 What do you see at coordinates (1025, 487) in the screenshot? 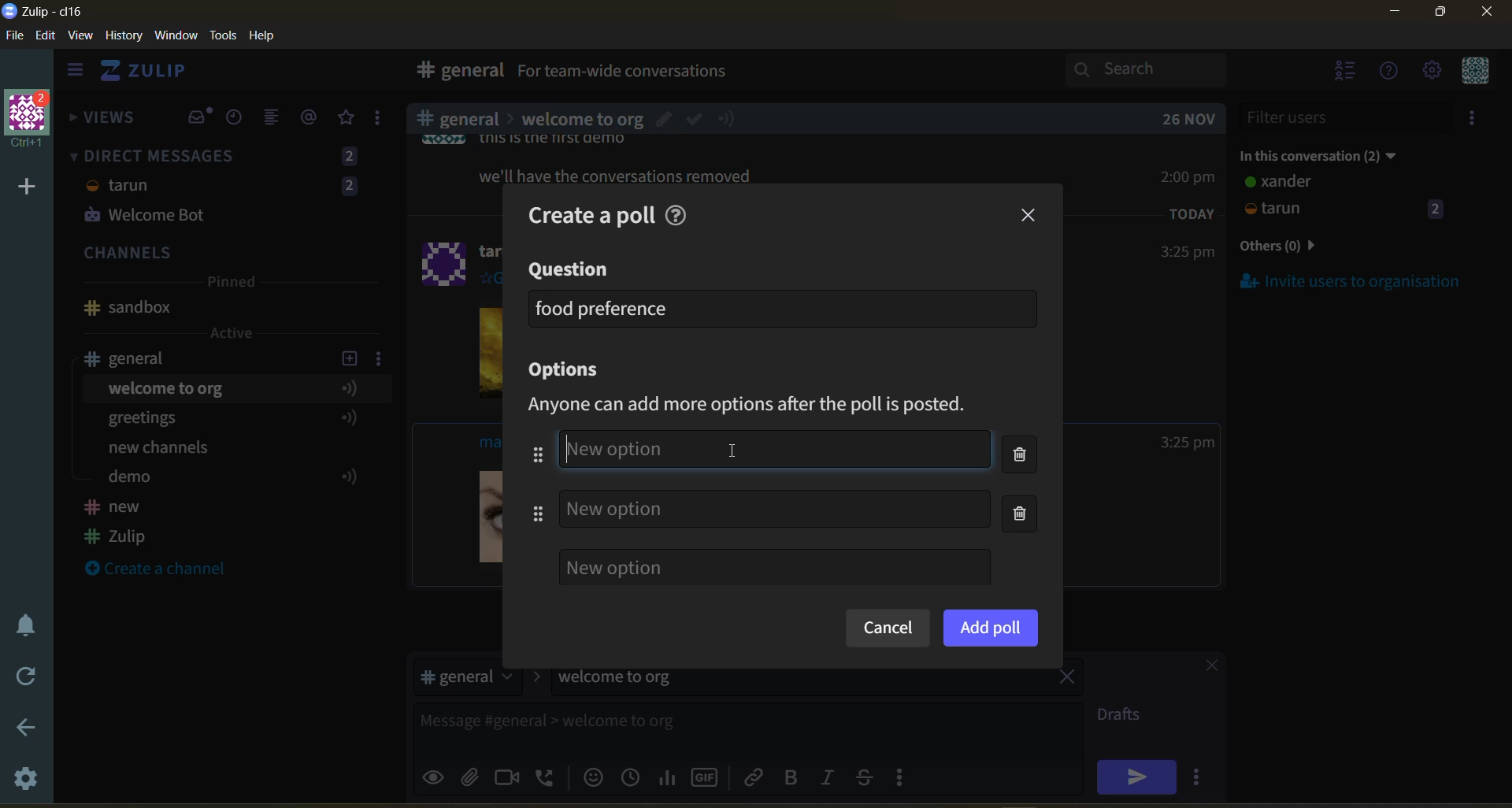
I see `delete` at bounding box center [1025, 487].